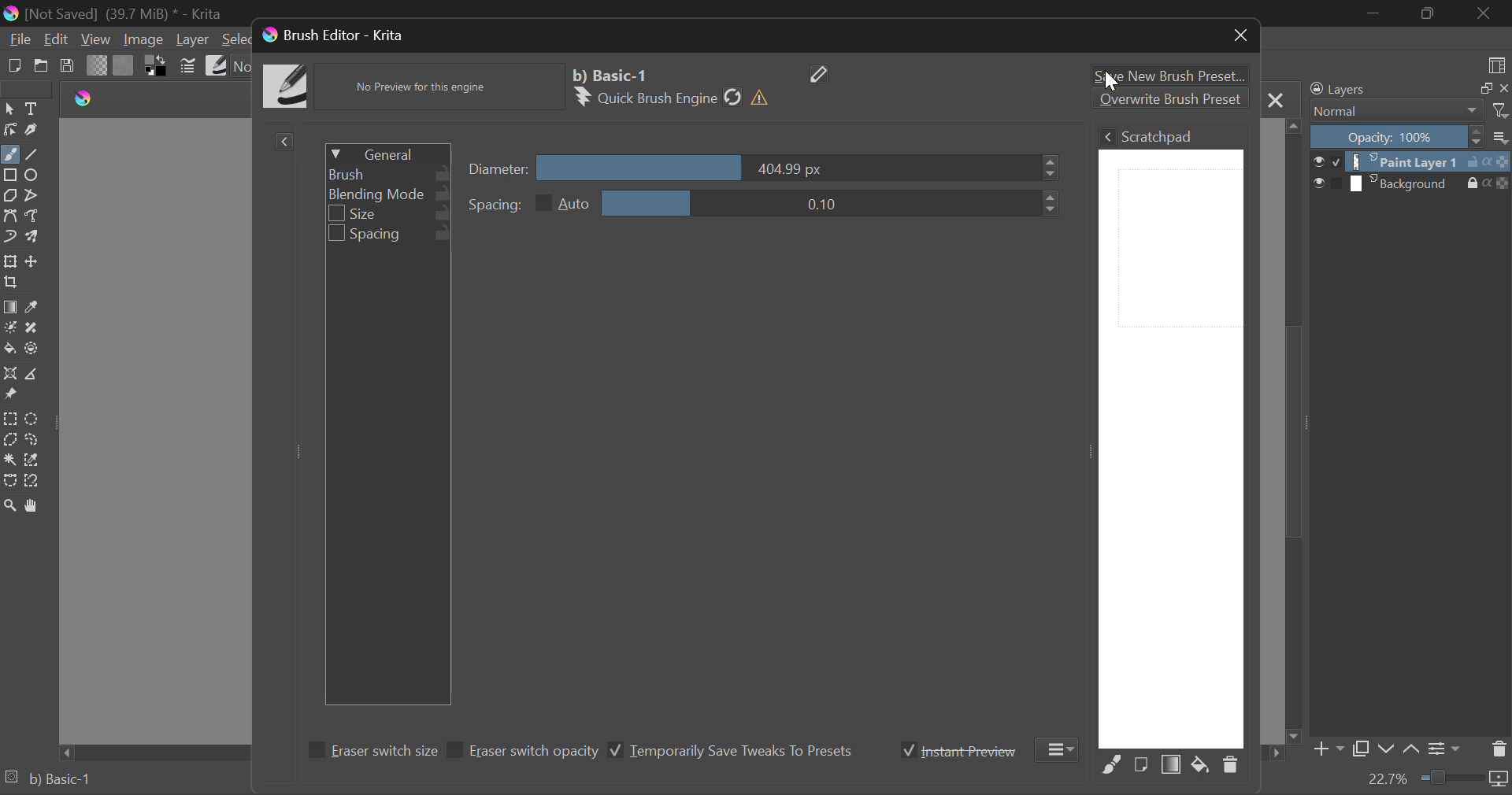 This screenshot has height=795, width=1512. Describe the element at coordinates (387, 173) in the screenshot. I see `Brush` at that location.